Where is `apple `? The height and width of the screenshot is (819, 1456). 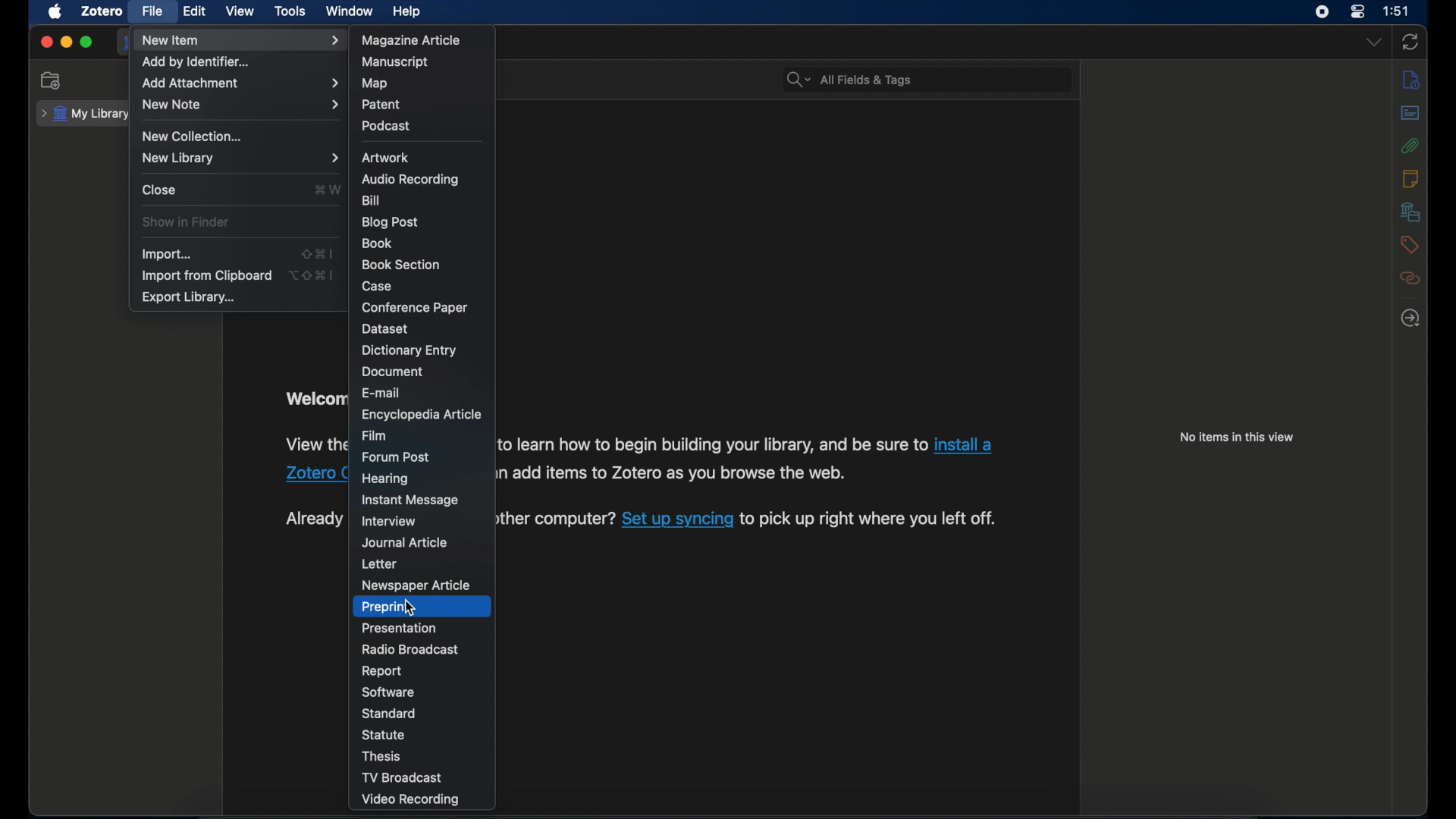
apple  is located at coordinates (55, 12).